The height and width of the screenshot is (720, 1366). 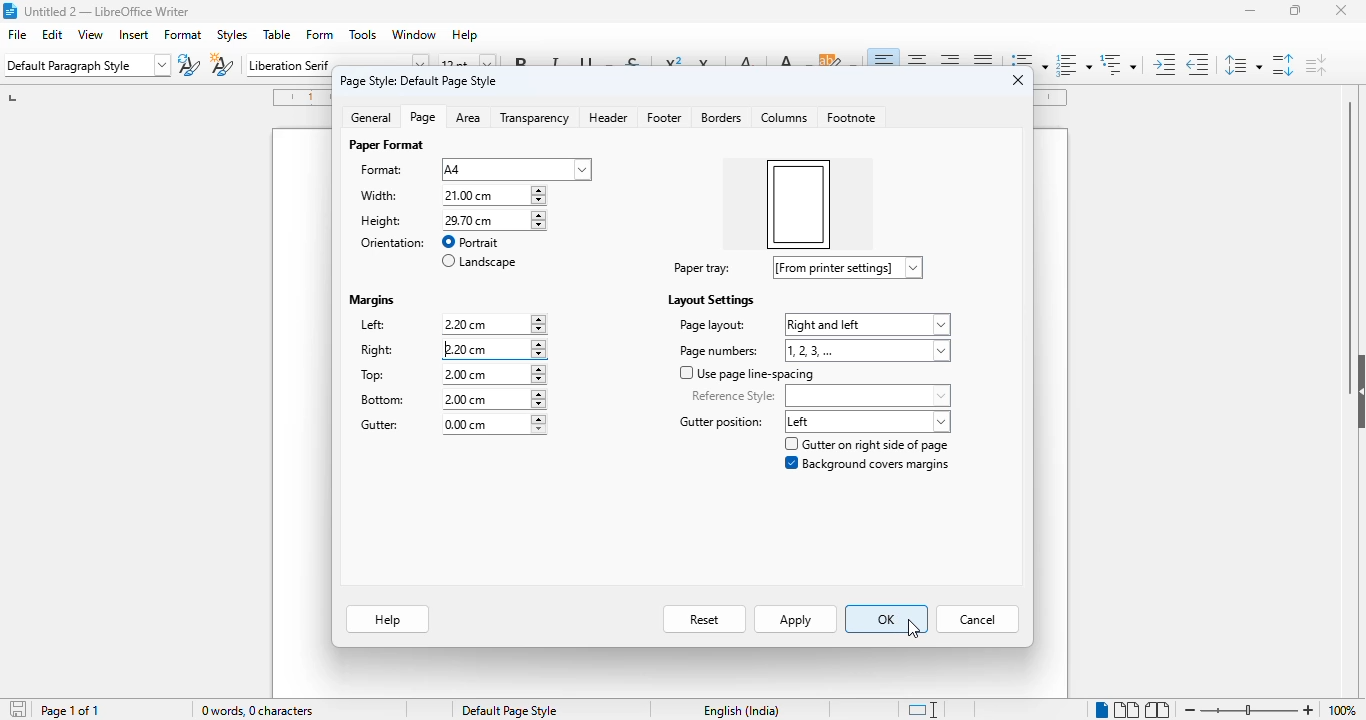 I want to click on format, so click(x=382, y=172).